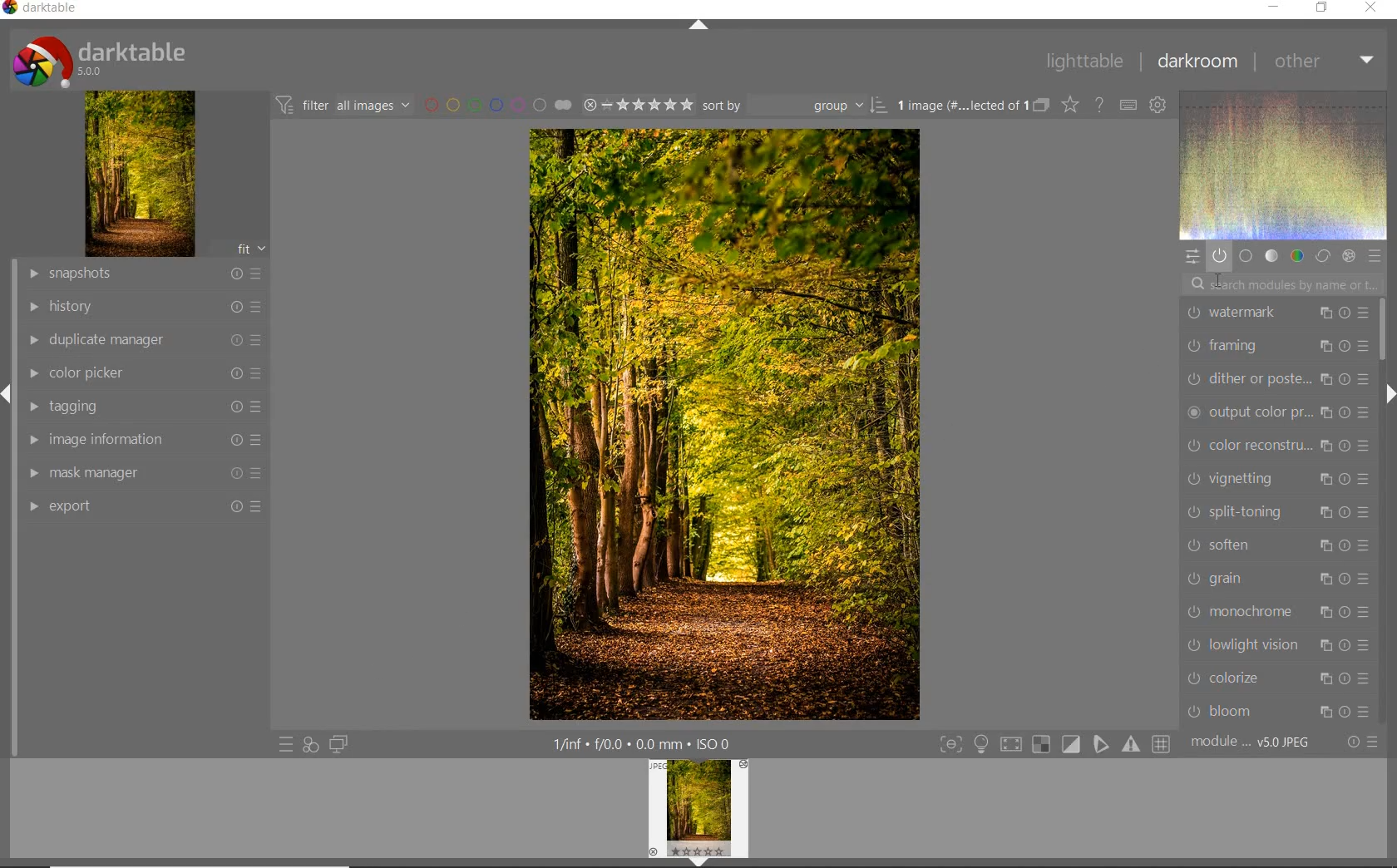 This screenshot has width=1397, height=868. What do you see at coordinates (1281, 646) in the screenshot?
I see `lowlight vision` at bounding box center [1281, 646].